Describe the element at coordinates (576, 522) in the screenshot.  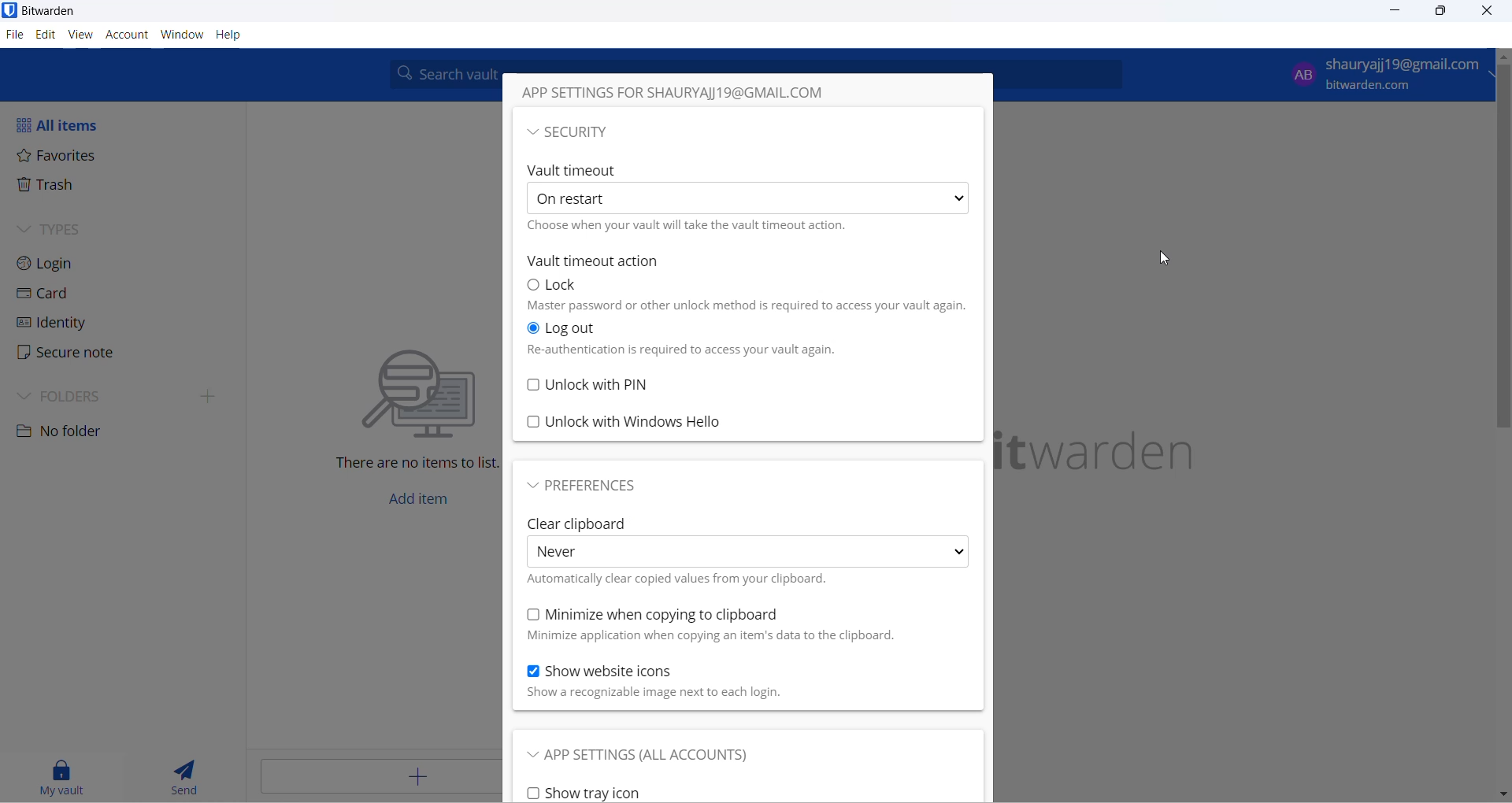
I see `clear clipboard ` at that location.